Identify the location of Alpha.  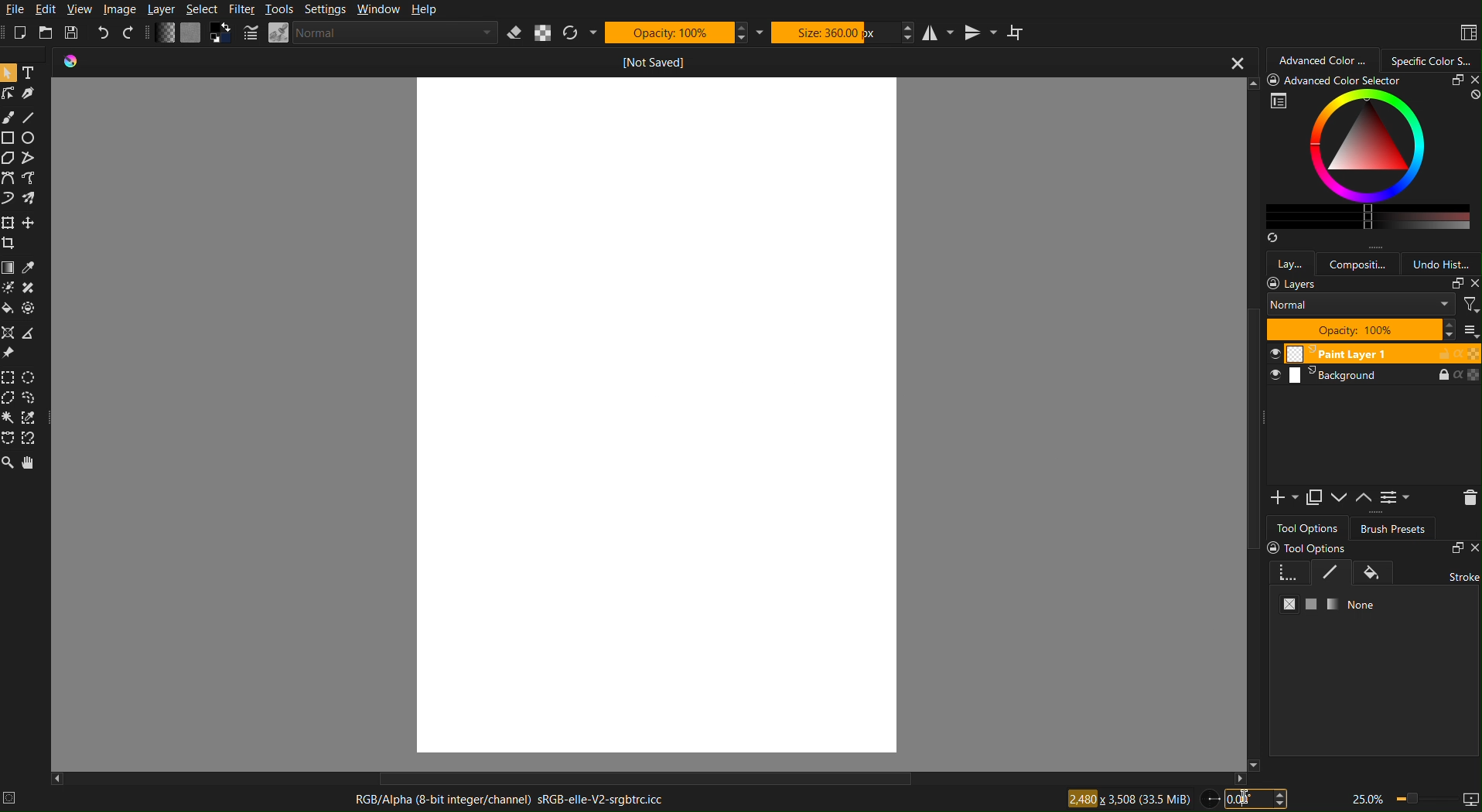
(543, 32).